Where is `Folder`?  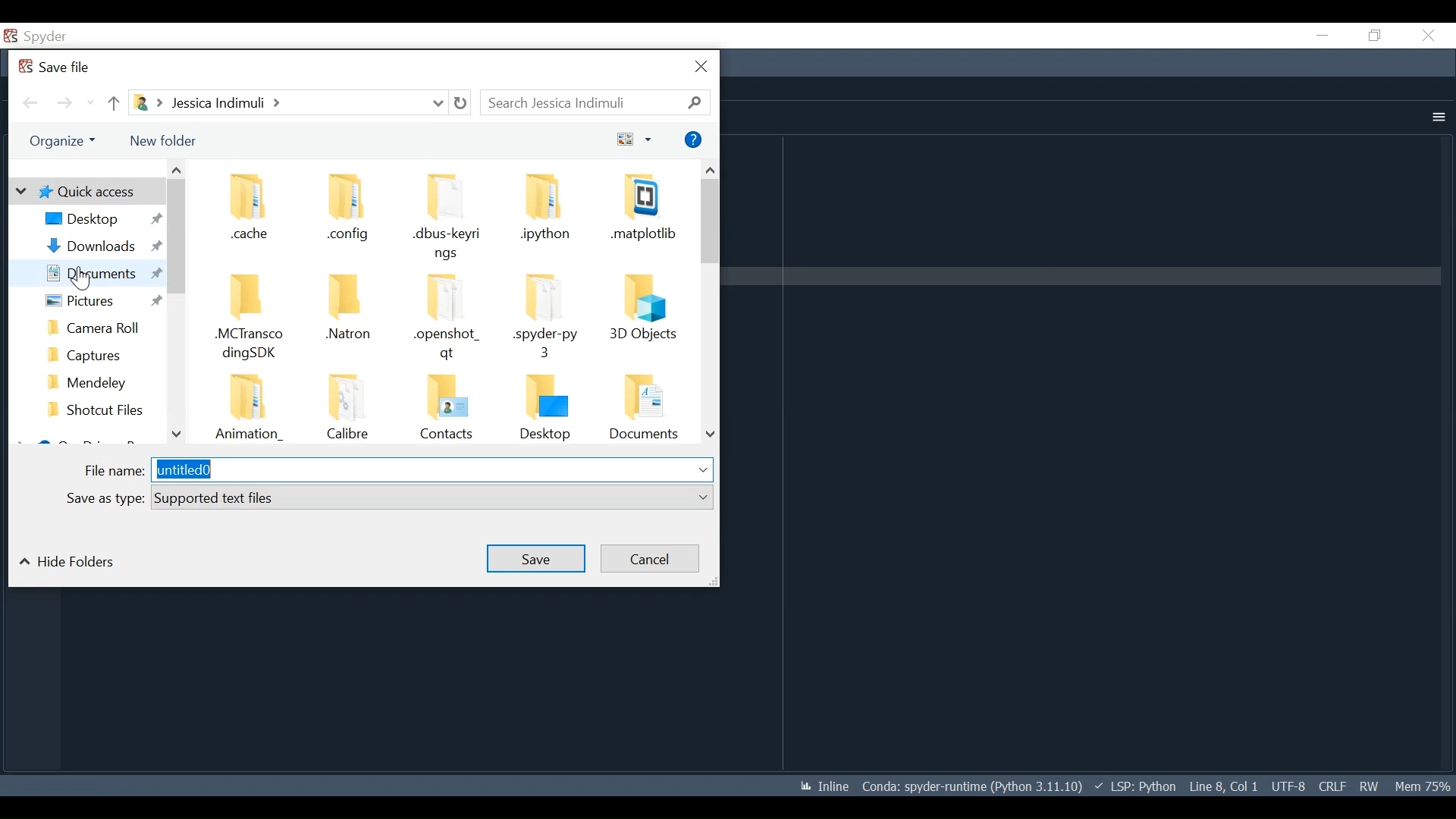
Folder is located at coordinates (445, 408).